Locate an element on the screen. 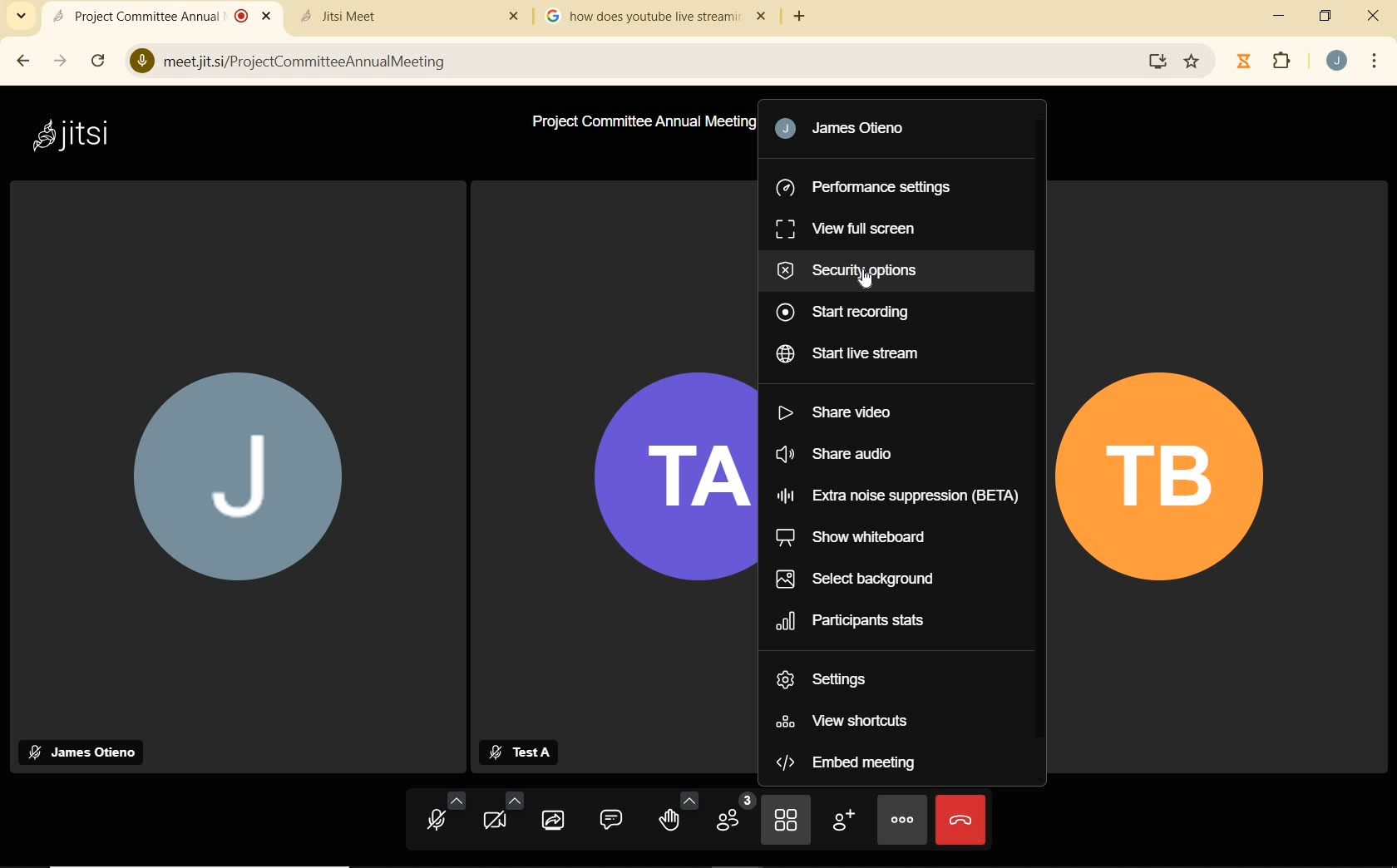 The height and width of the screenshot is (868, 1397). BACK is located at coordinates (20, 62).